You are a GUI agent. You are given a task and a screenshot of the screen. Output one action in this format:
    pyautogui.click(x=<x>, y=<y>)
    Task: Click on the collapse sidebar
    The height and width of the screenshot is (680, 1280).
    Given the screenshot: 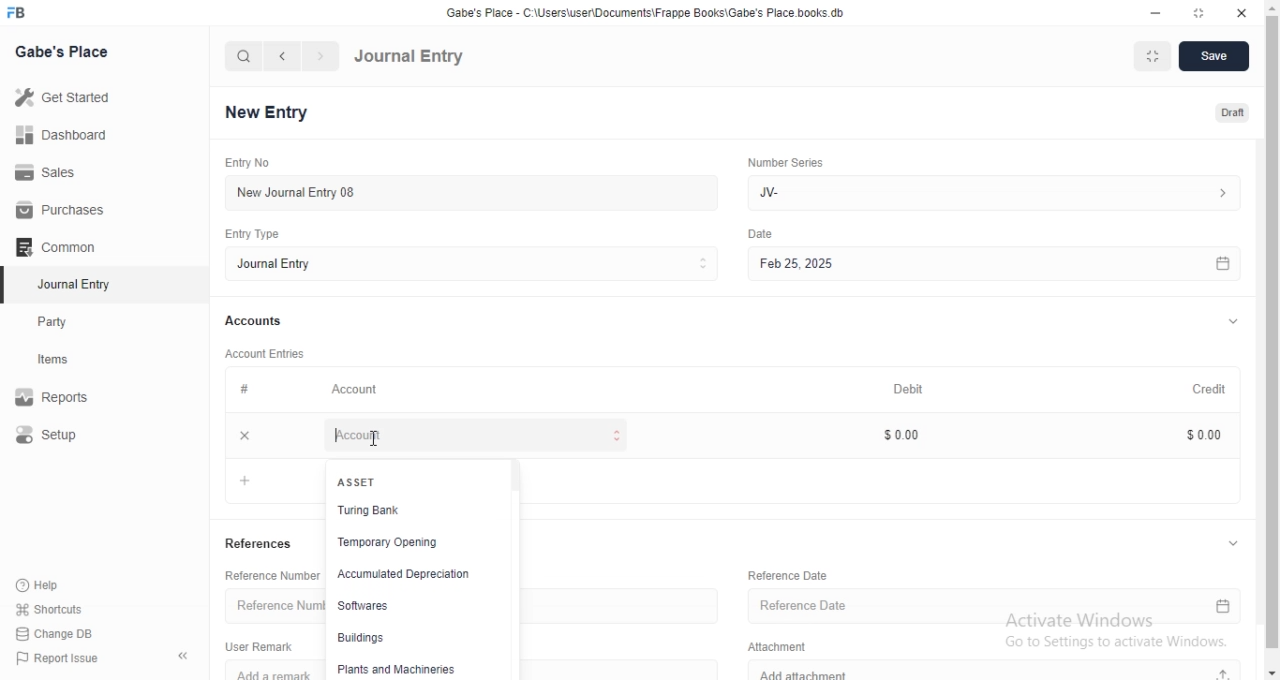 What is the action you would take?
    pyautogui.click(x=183, y=657)
    